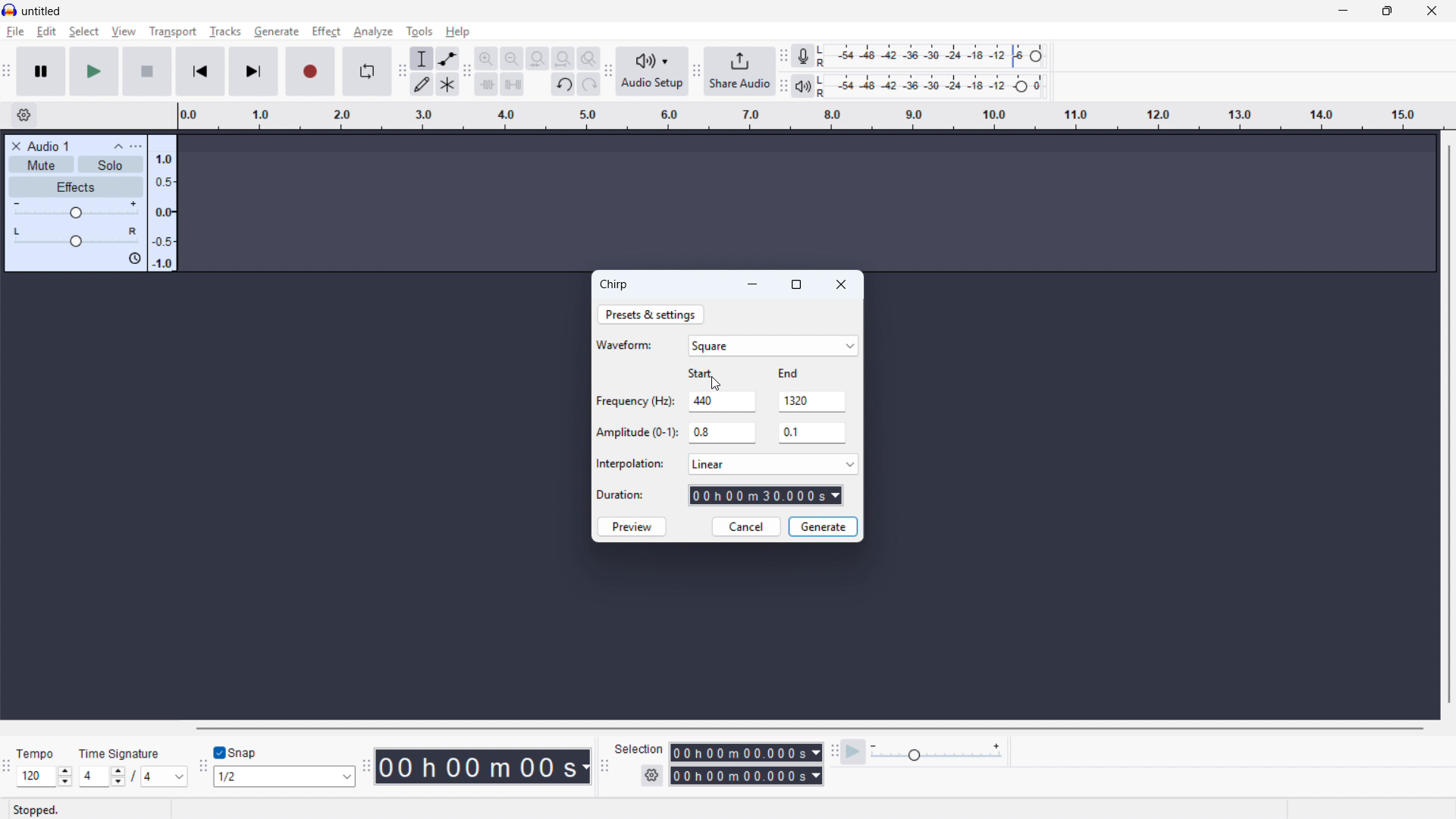  Describe the element at coordinates (935, 56) in the screenshot. I see `Recording level` at that location.